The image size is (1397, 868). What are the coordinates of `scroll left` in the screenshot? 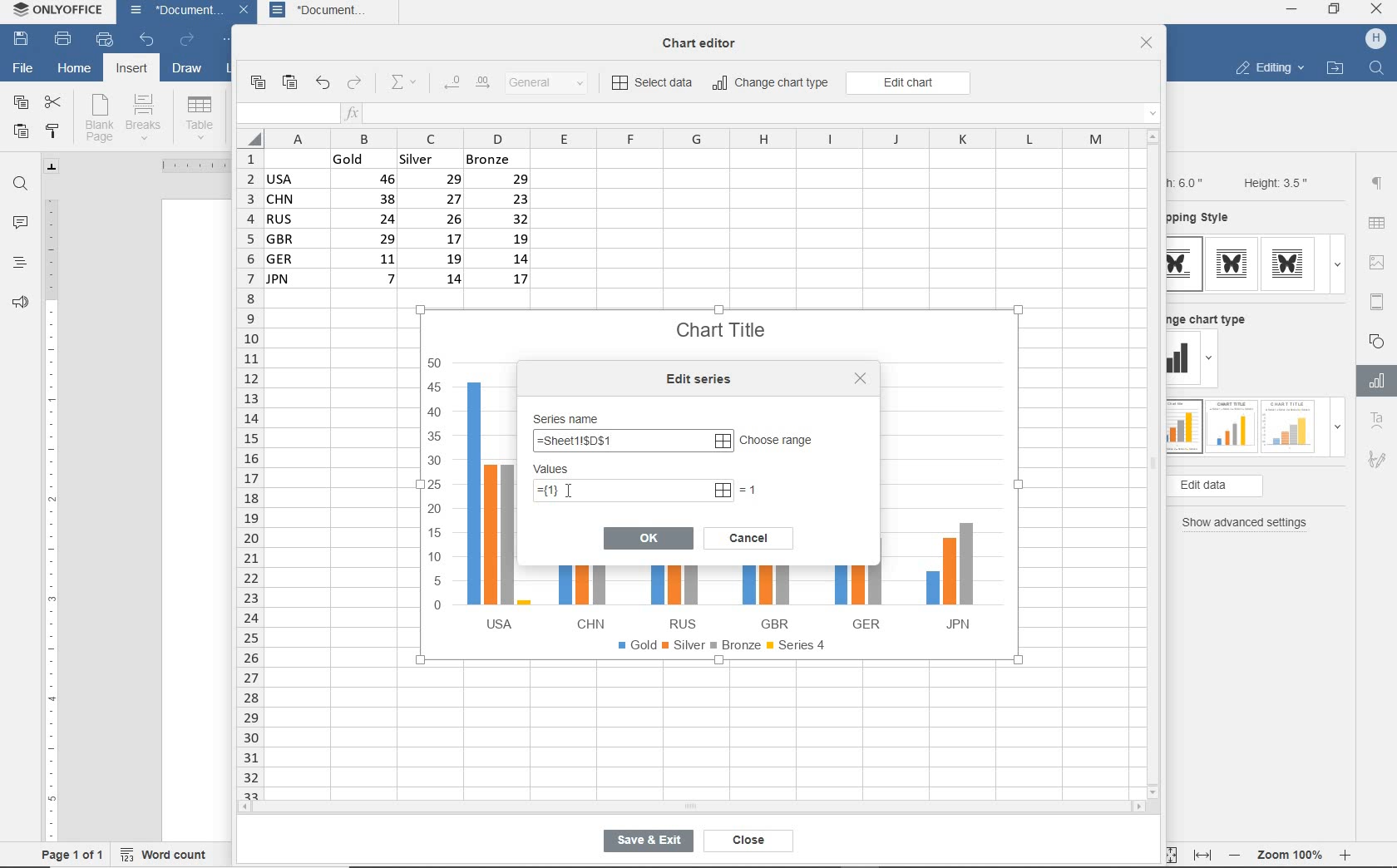 It's located at (249, 808).